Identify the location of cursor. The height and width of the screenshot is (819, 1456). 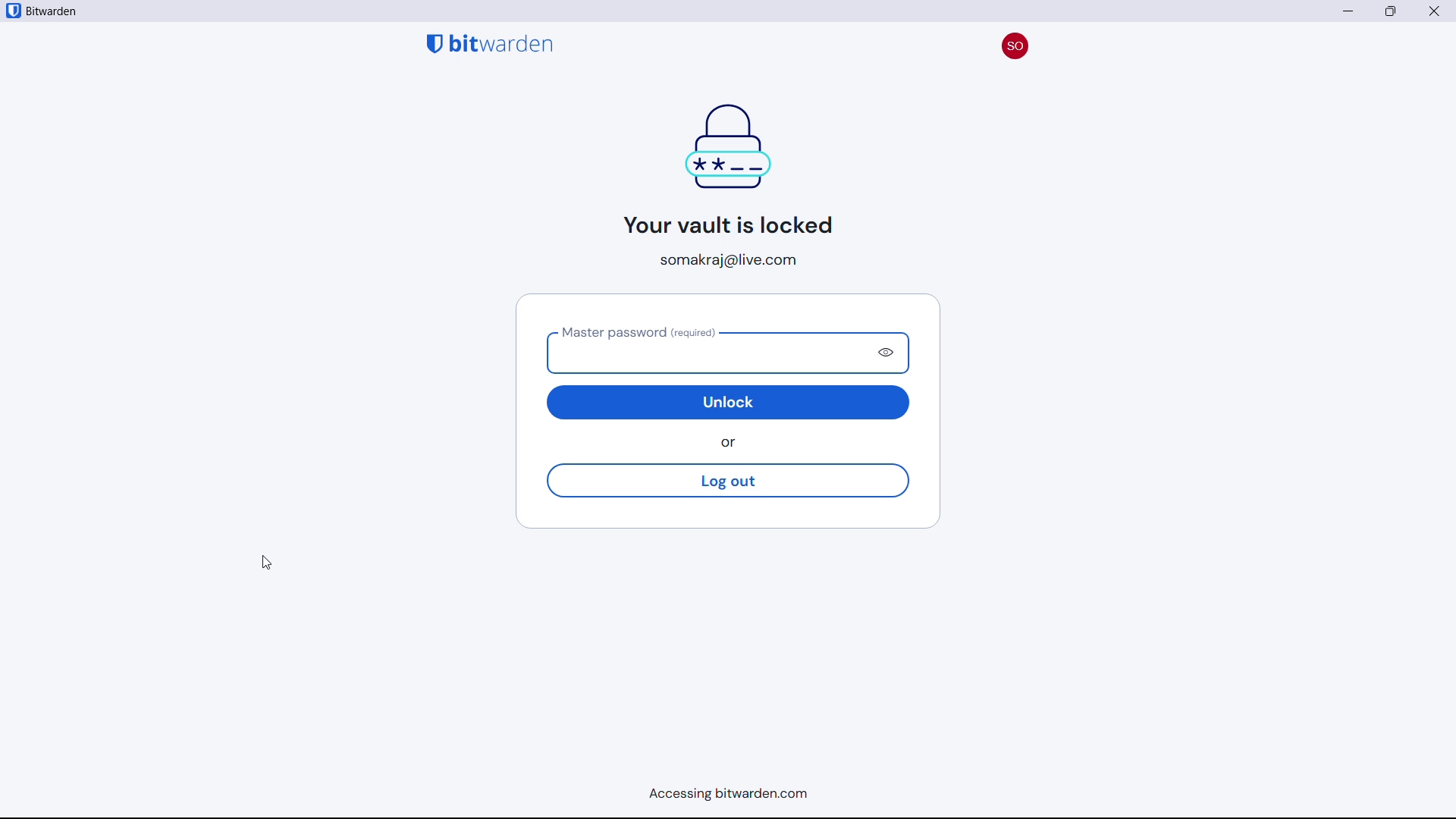
(266, 563).